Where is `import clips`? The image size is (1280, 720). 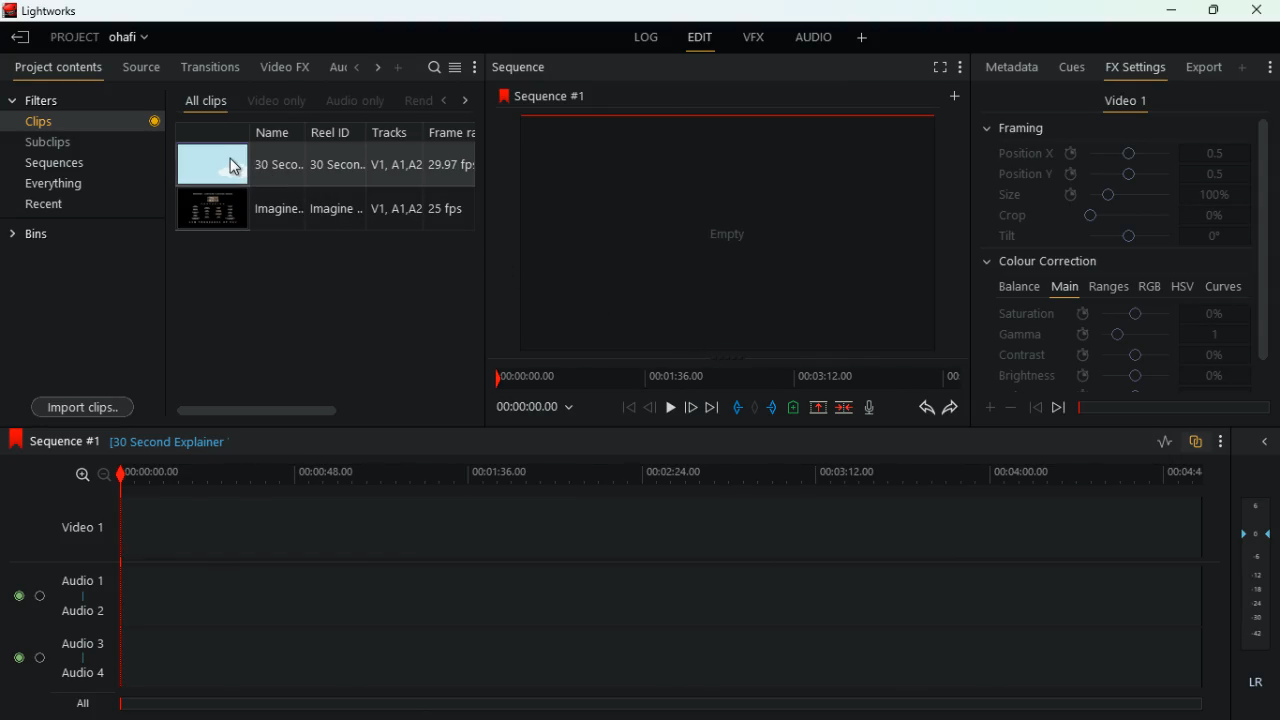
import clips is located at coordinates (86, 405).